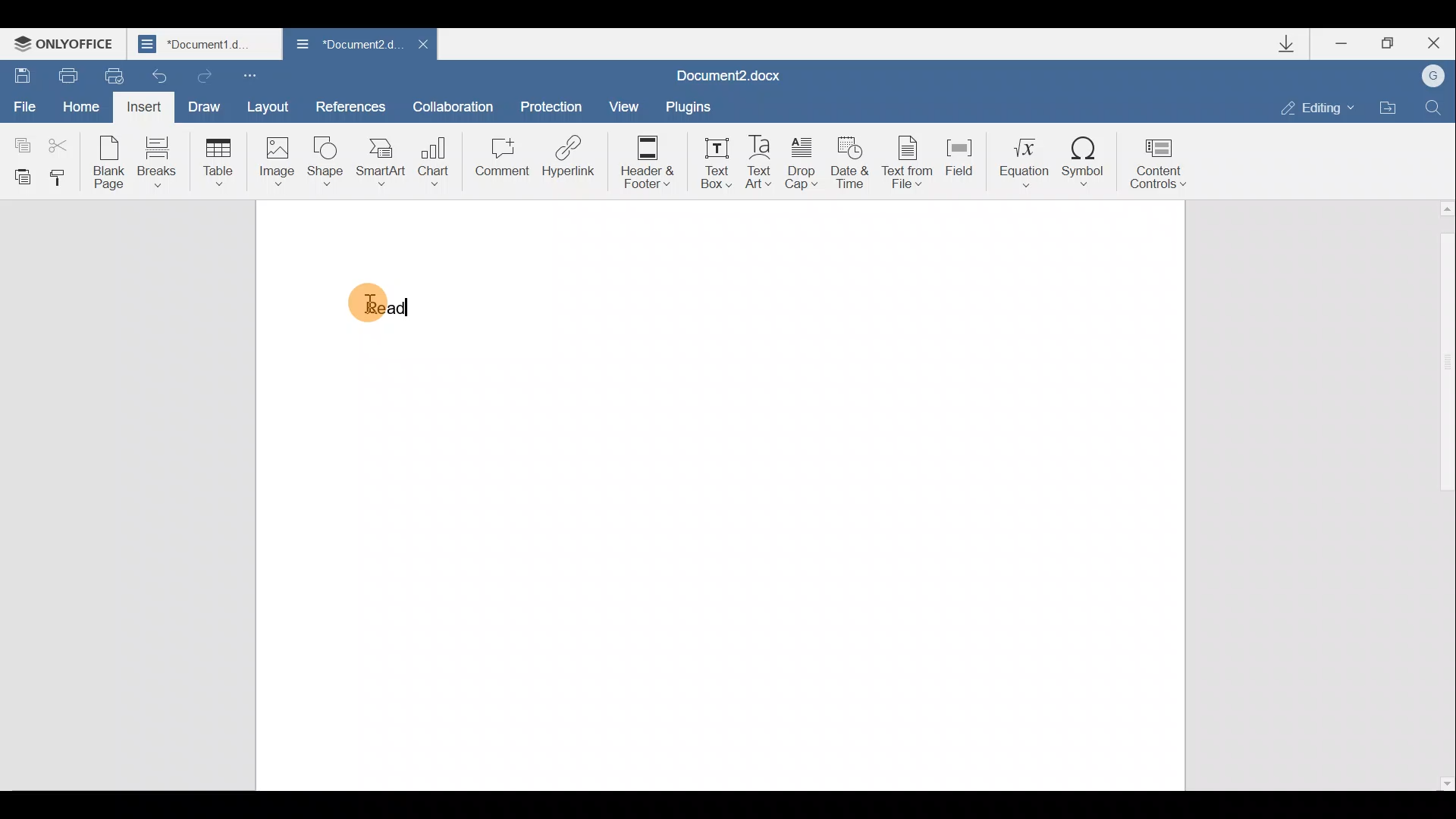 The image size is (1456, 819). Describe the element at coordinates (215, 159) in the screenshot. I see `Table` at that location.